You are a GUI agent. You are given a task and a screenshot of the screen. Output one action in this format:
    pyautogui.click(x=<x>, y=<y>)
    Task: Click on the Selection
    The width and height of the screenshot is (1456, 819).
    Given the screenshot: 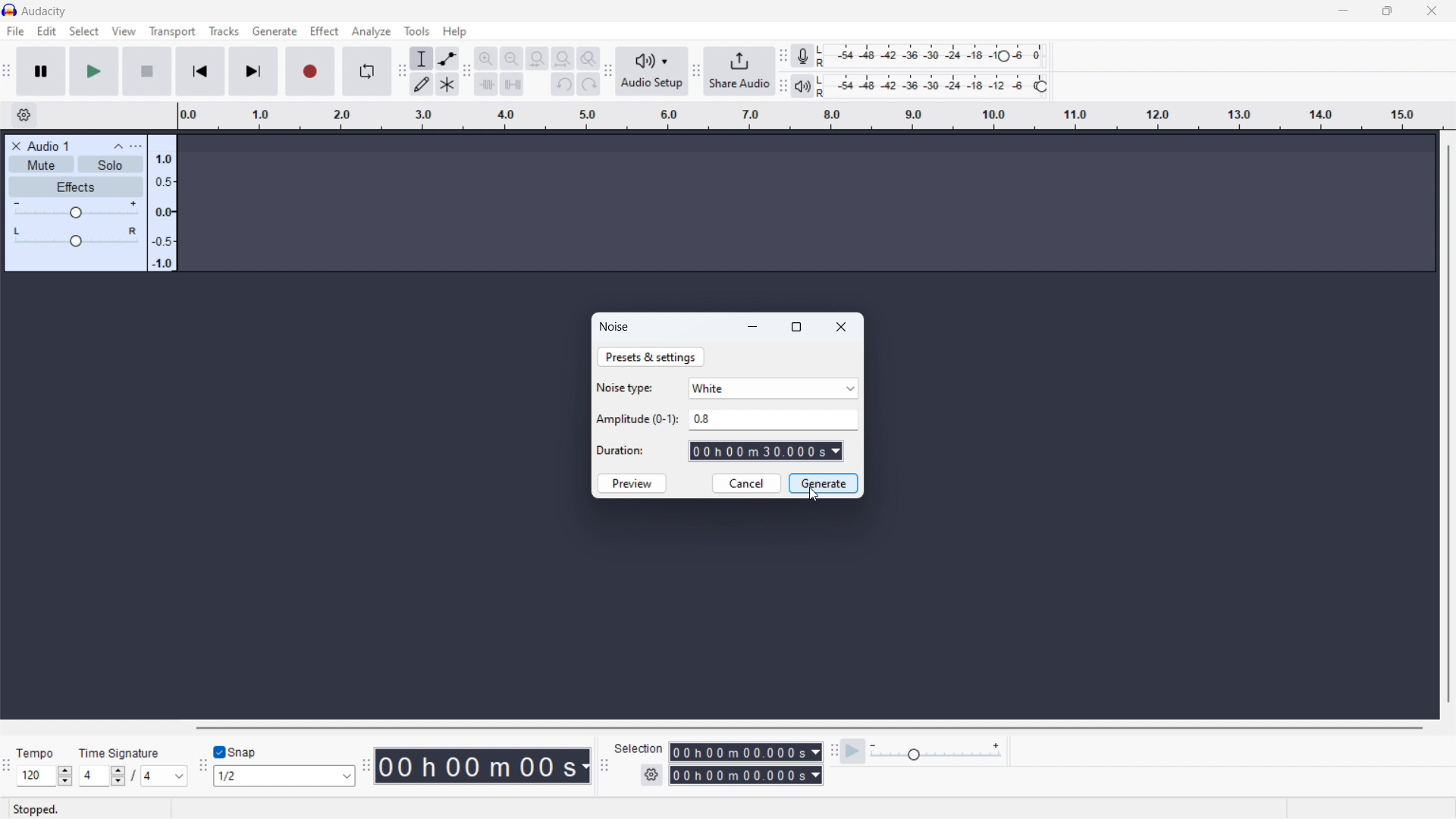 What is the action you would take?
    pyautogui.click(x=639, y=750)
    